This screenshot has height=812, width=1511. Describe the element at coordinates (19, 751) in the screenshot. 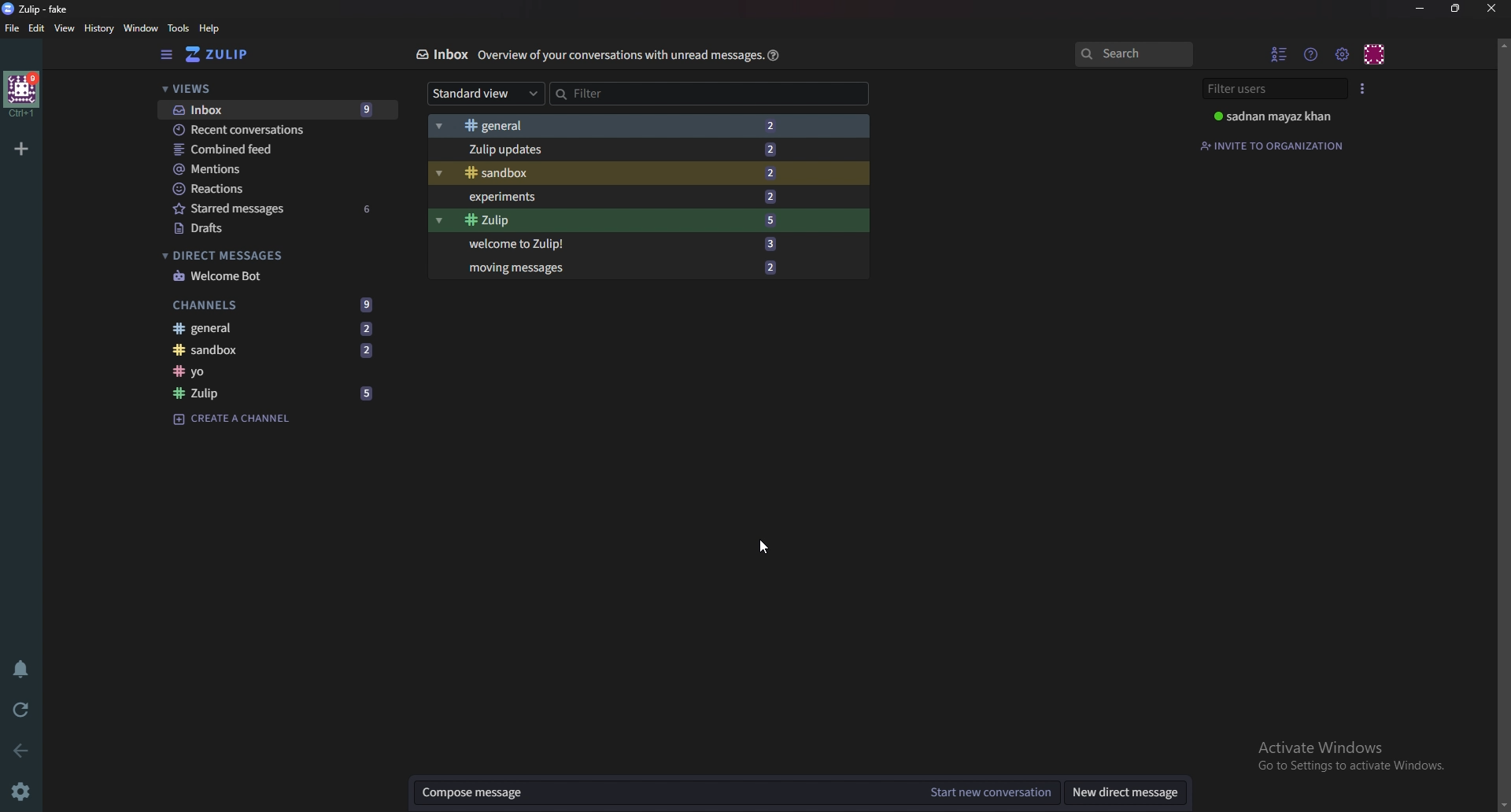

I see `back` at that location.